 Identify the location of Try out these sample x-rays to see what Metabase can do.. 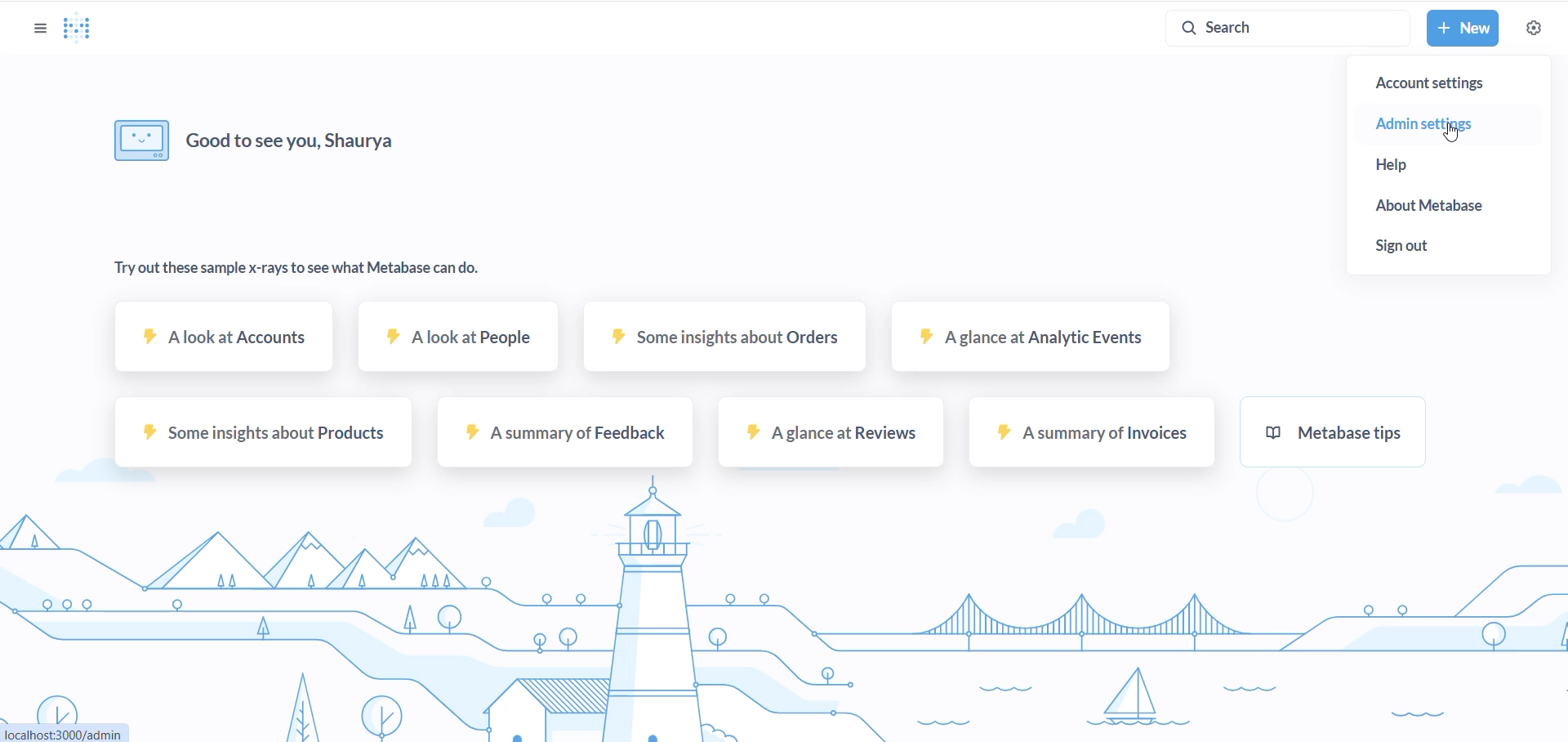
(296, 270).